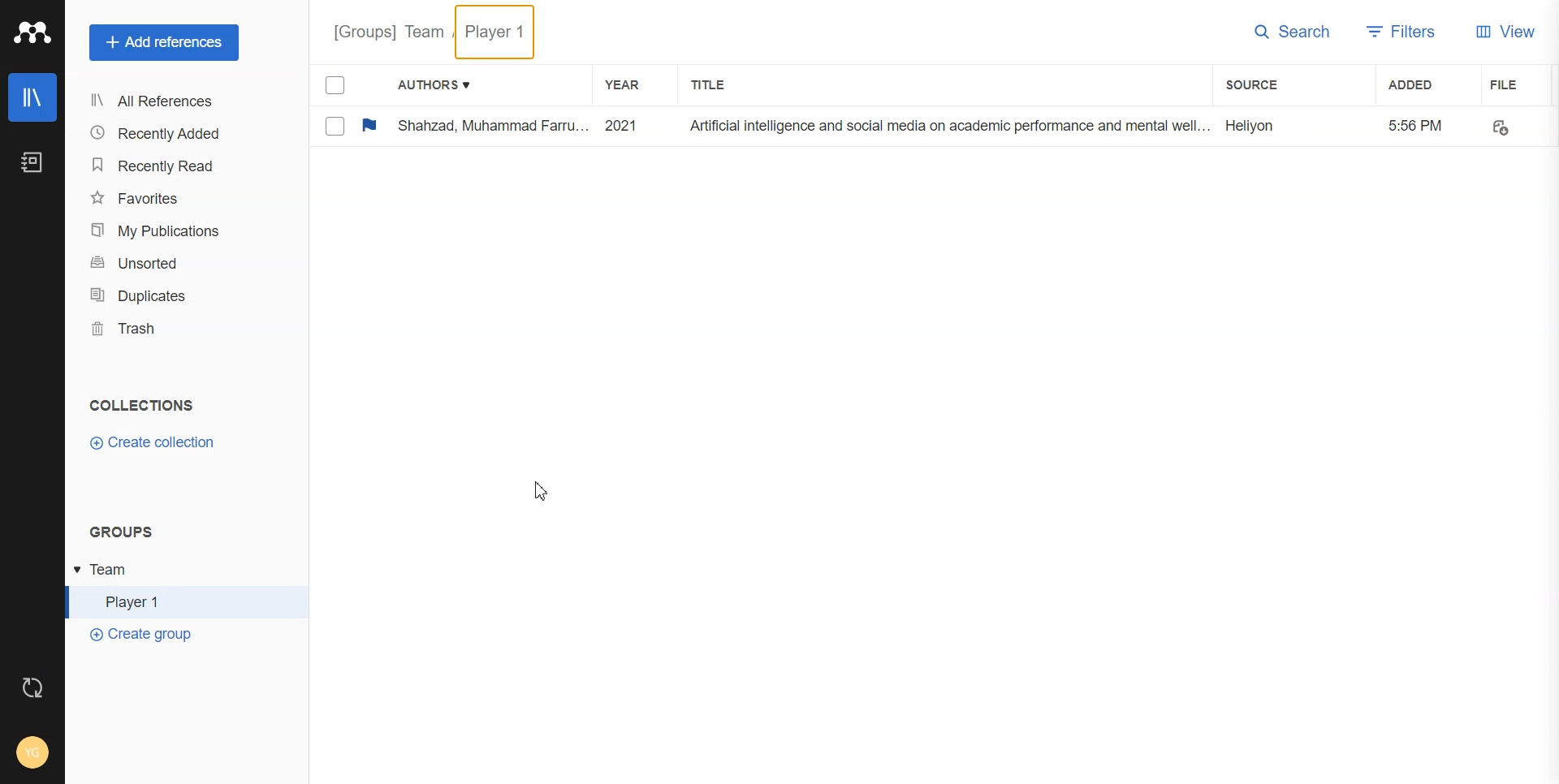 Image resolution: width=1559 pixels, height=784 pixels. Describe the element at coordinates (496, 32) in the screenshot. I see `Player 1` at that location.